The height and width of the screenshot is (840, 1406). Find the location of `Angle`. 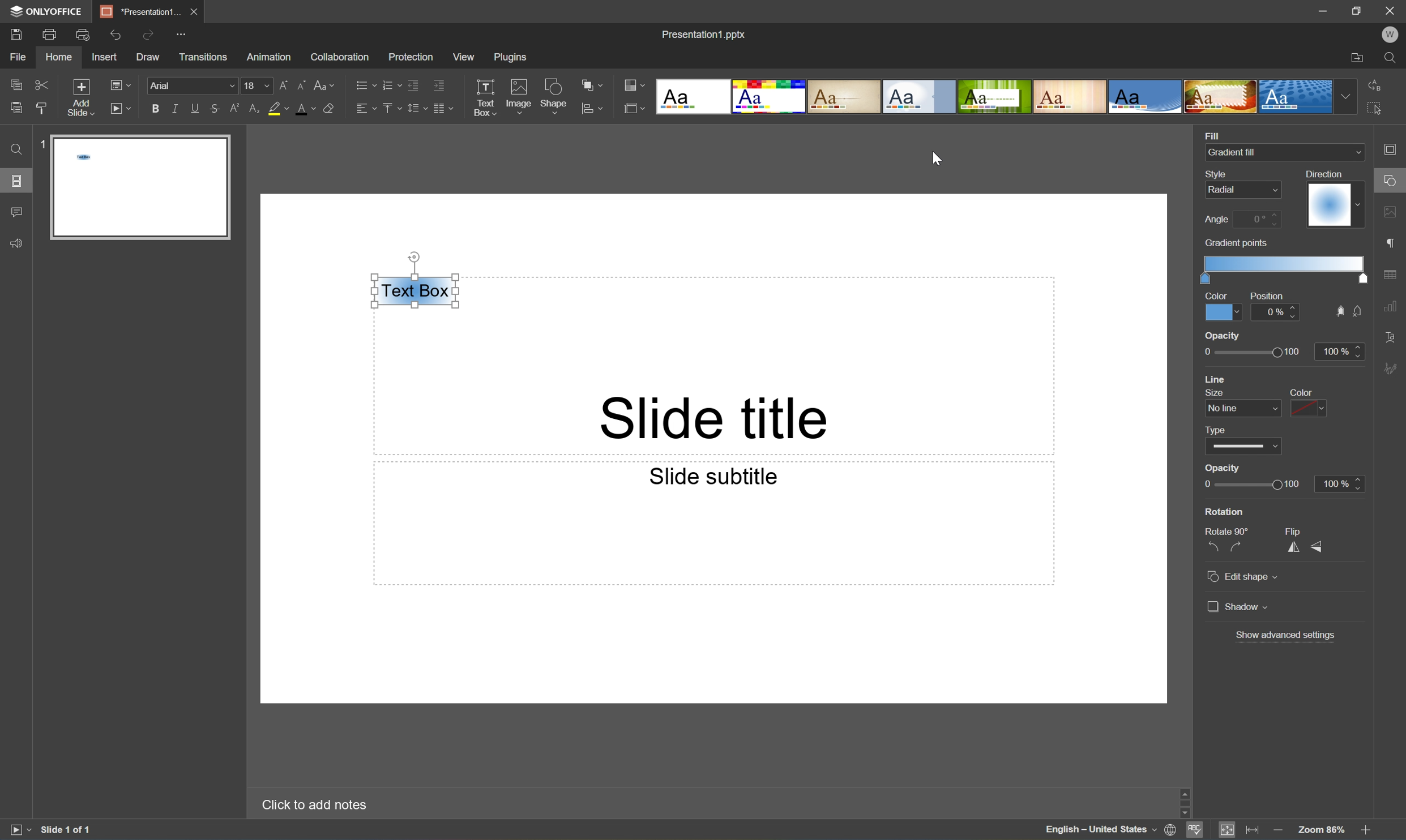

Angle is located at coordinates (1218, 220).